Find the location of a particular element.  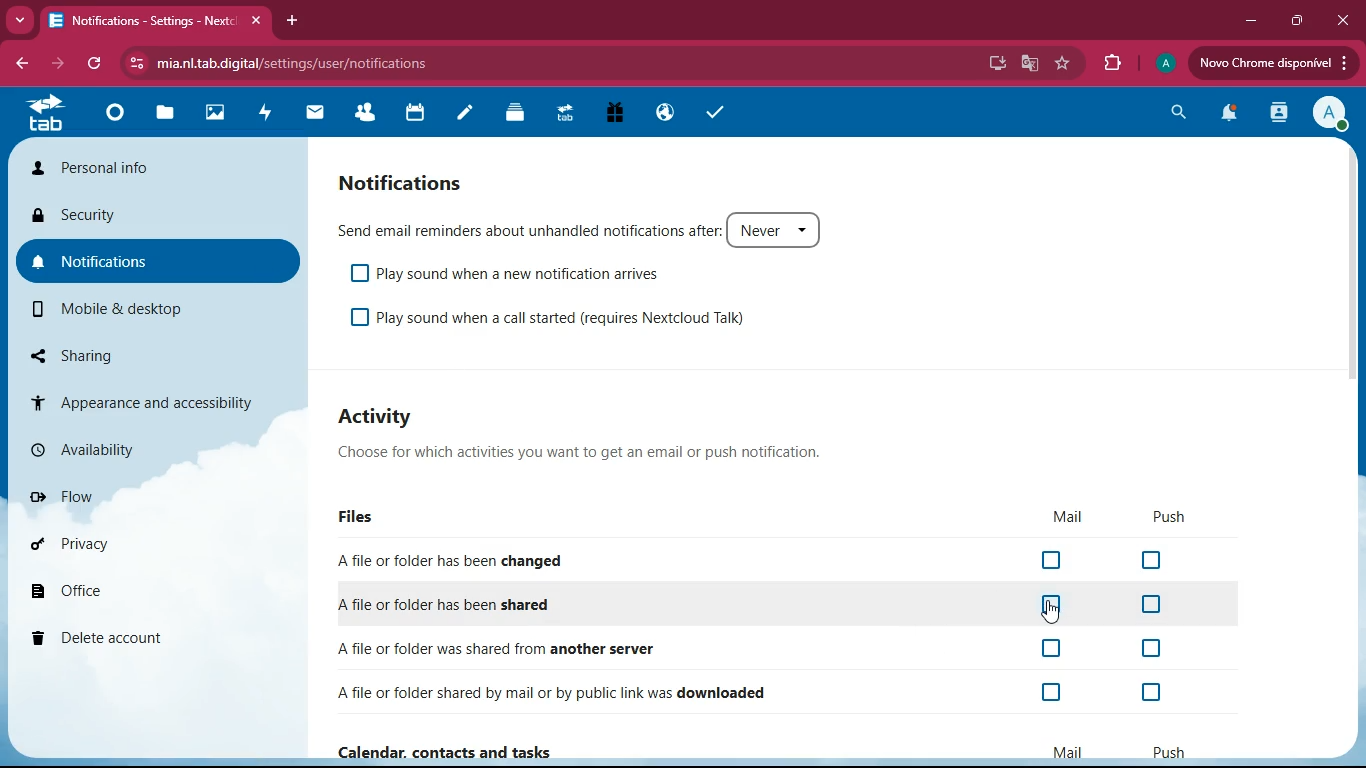

mail is located at coordinates (311, 116).